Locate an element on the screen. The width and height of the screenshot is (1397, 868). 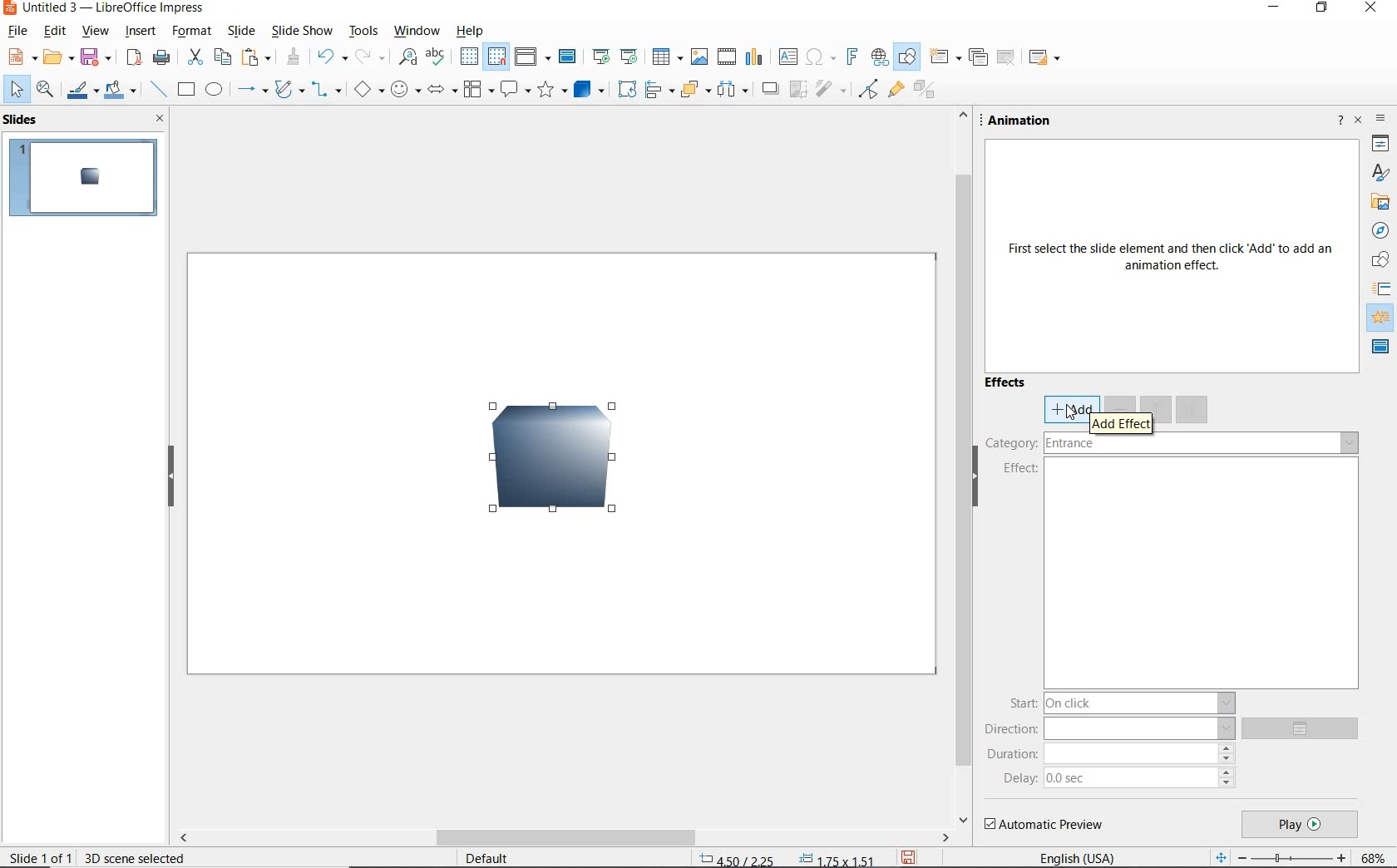
NAVIGATOR is located at coordinates (1380, 231).